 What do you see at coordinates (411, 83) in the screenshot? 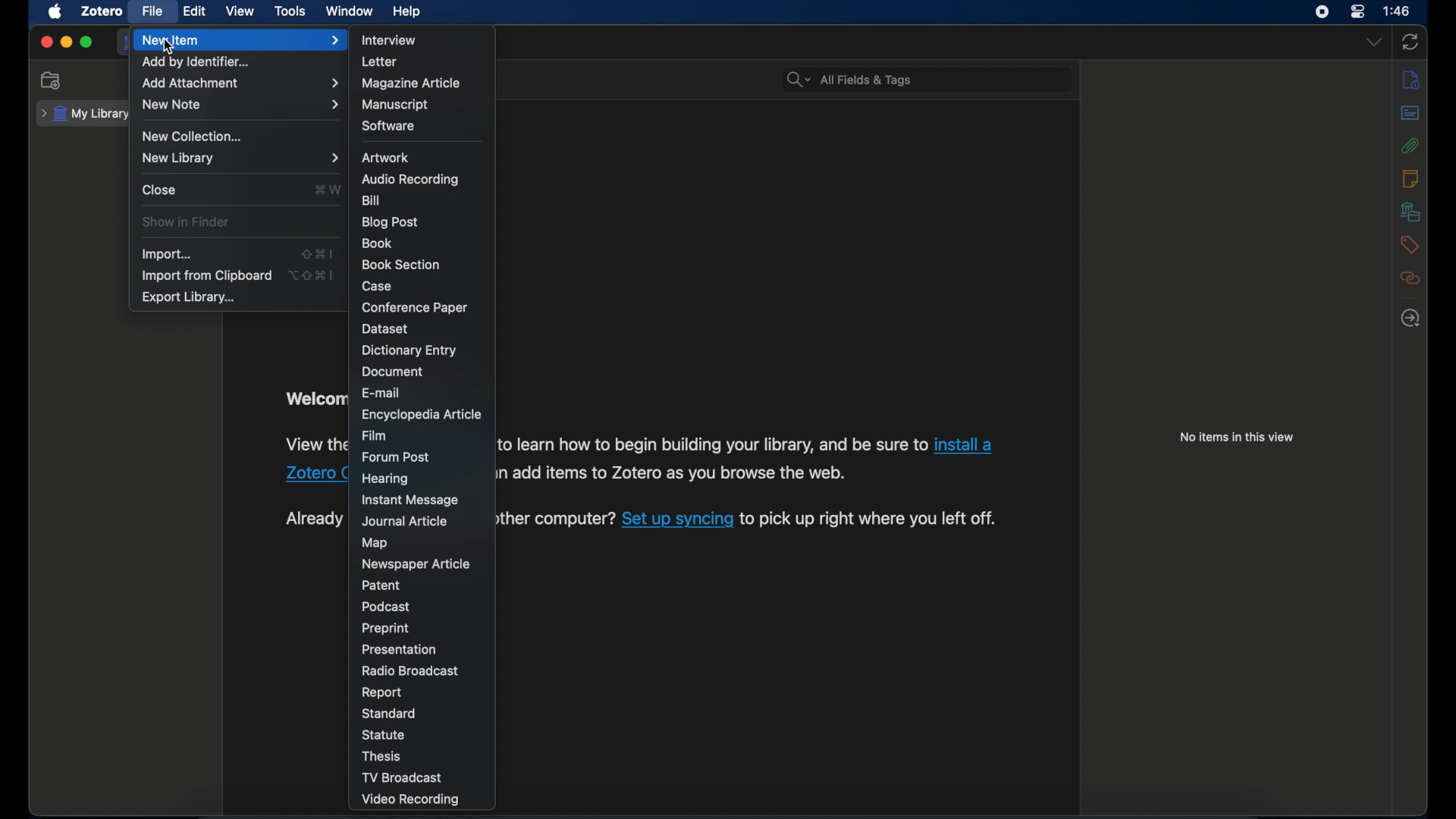
I see `magazine article` at bounding box center [411, 83].